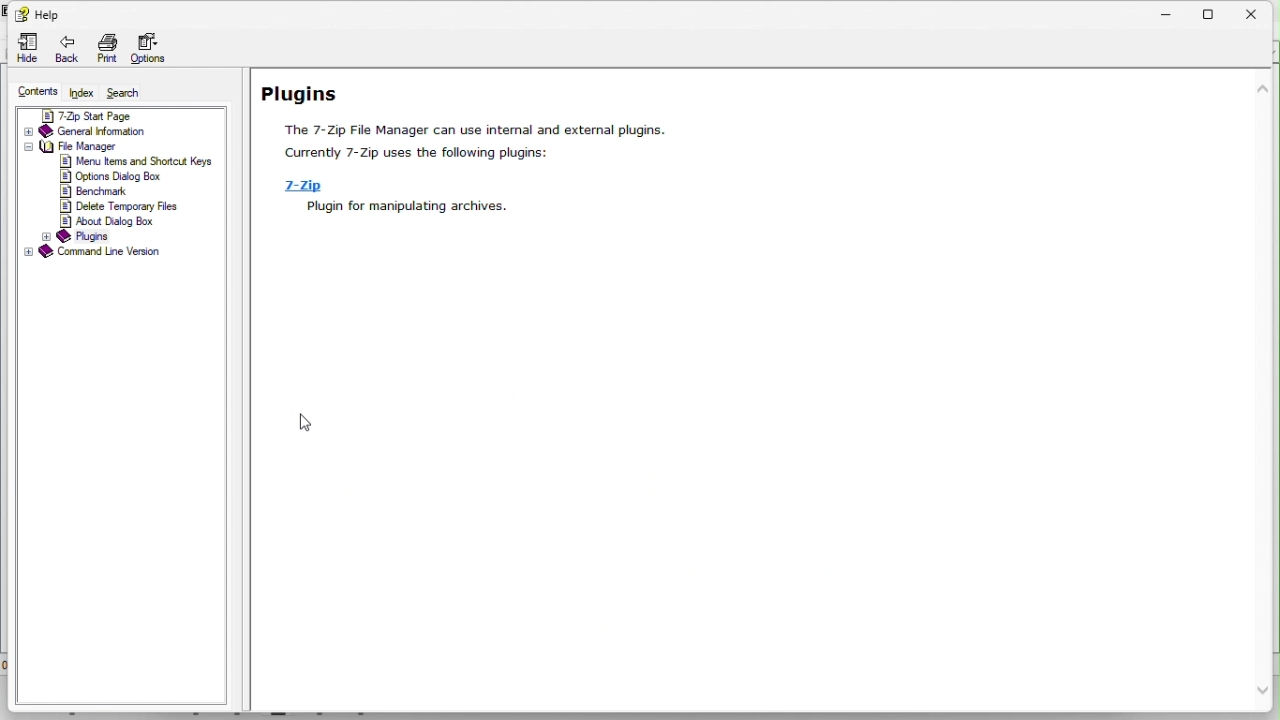 The width and height of the screenshot is (1280, 720). I want to click on File manager menus, so click(99, 147).